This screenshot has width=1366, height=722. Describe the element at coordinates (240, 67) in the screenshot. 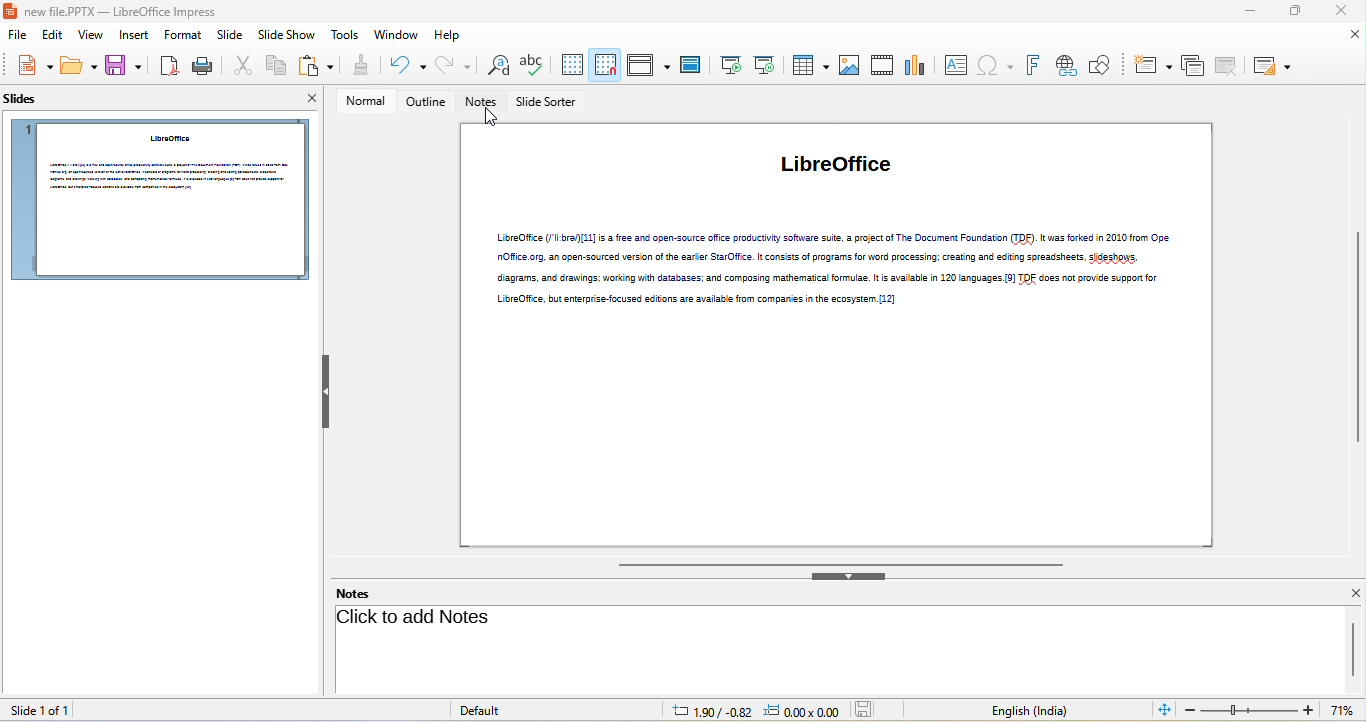

I see `cut` at that location.